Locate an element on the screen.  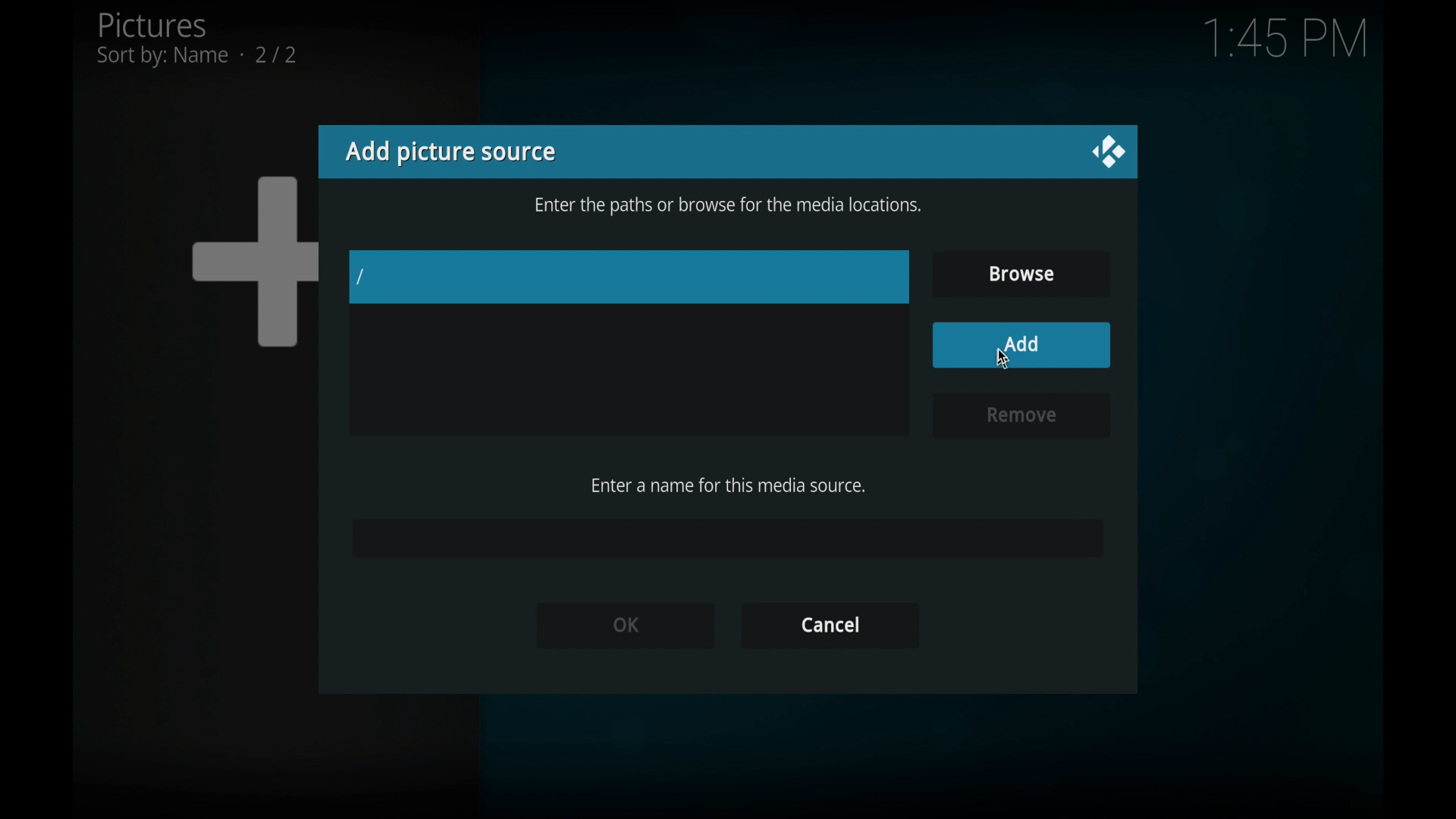
cursor is located at coordinates (1004, 360).